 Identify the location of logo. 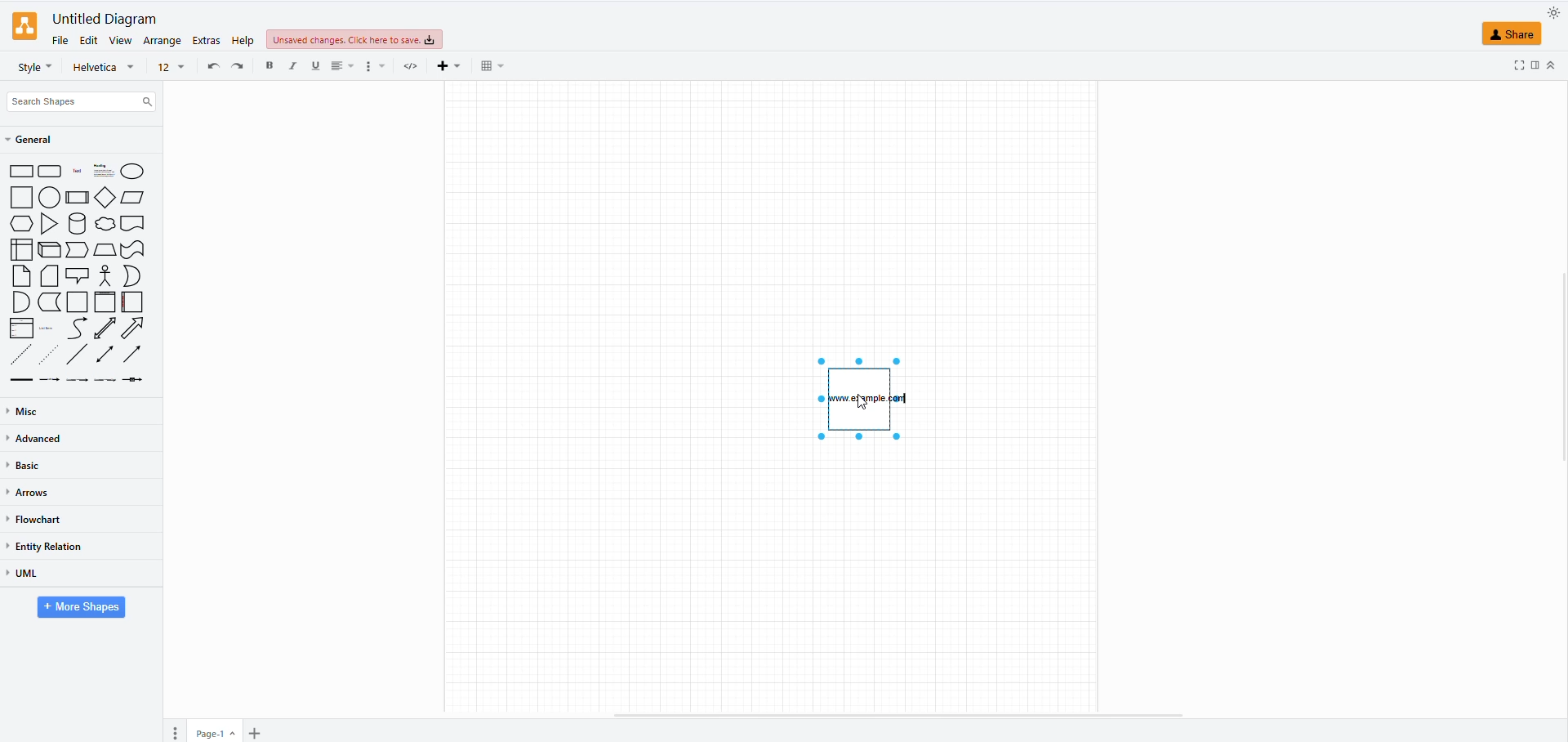
(24, 26).